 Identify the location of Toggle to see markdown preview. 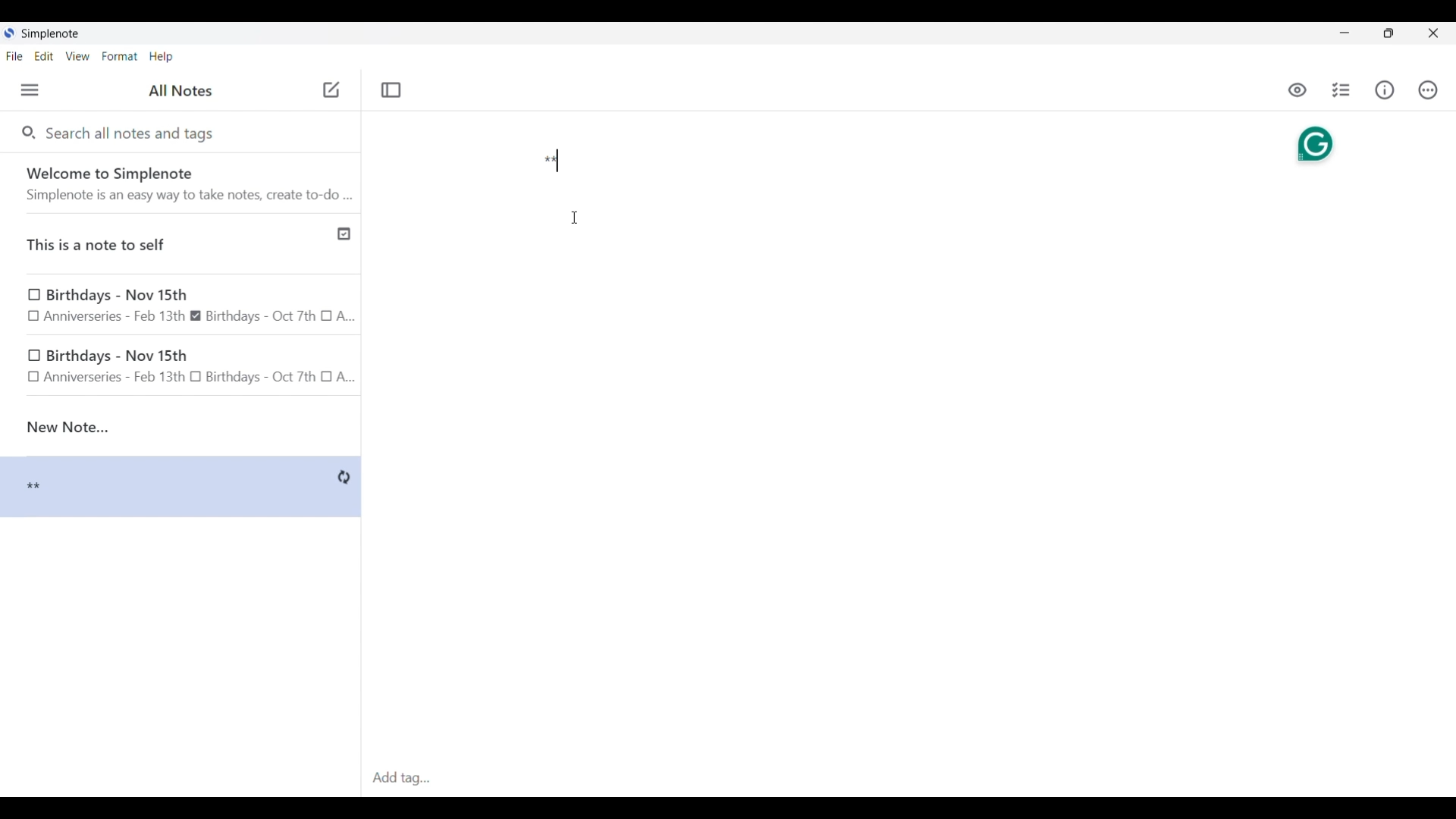
(1298, 90).